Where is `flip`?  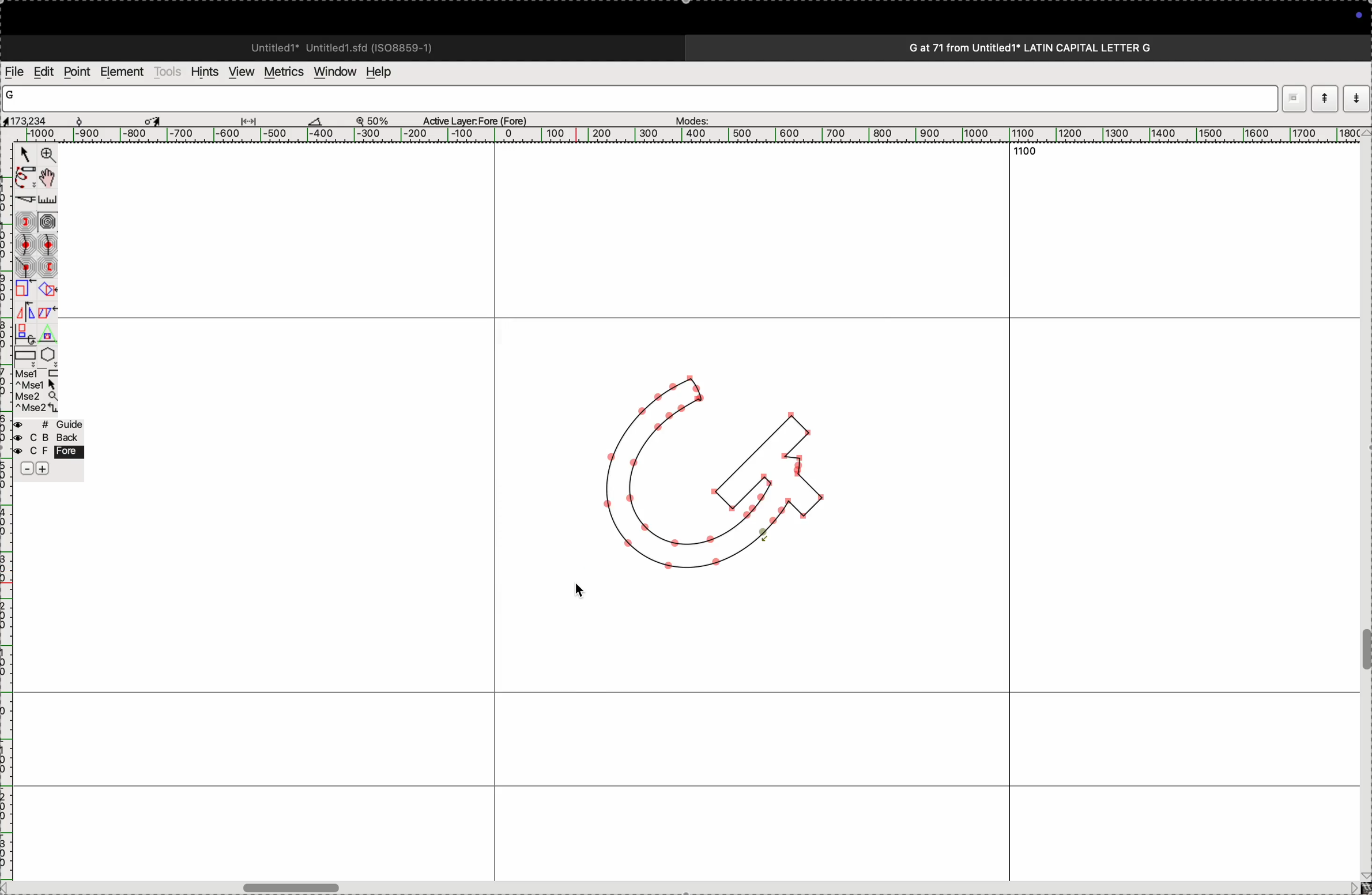
flip is located at coordinates (25, 312).